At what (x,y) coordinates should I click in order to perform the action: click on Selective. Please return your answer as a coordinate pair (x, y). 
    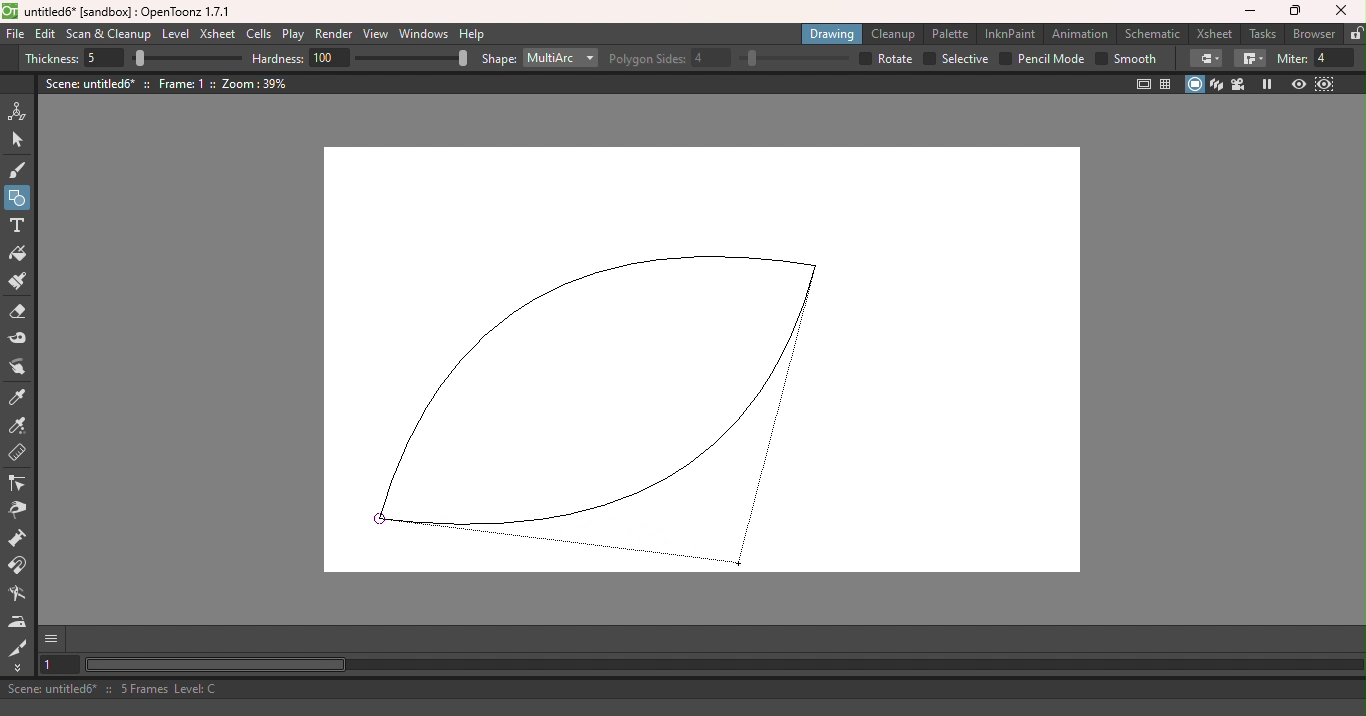
    Looking at the image, I should click on (957, 58).